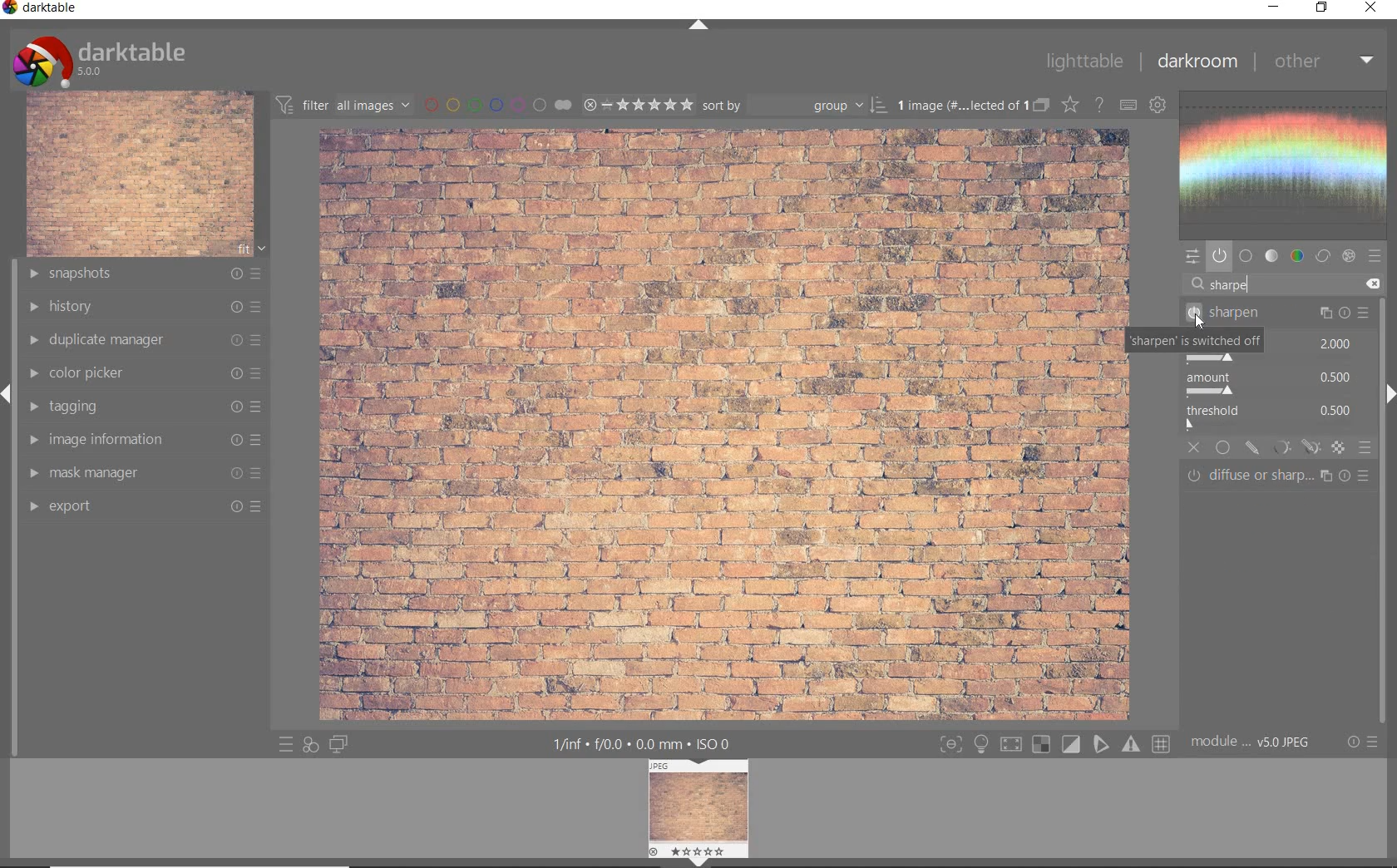 The image size is (1397, 868). What do you see at coordinates (496, 104) in the screenshot?
I see `filter by image color label` at bounding box center [496, 104].